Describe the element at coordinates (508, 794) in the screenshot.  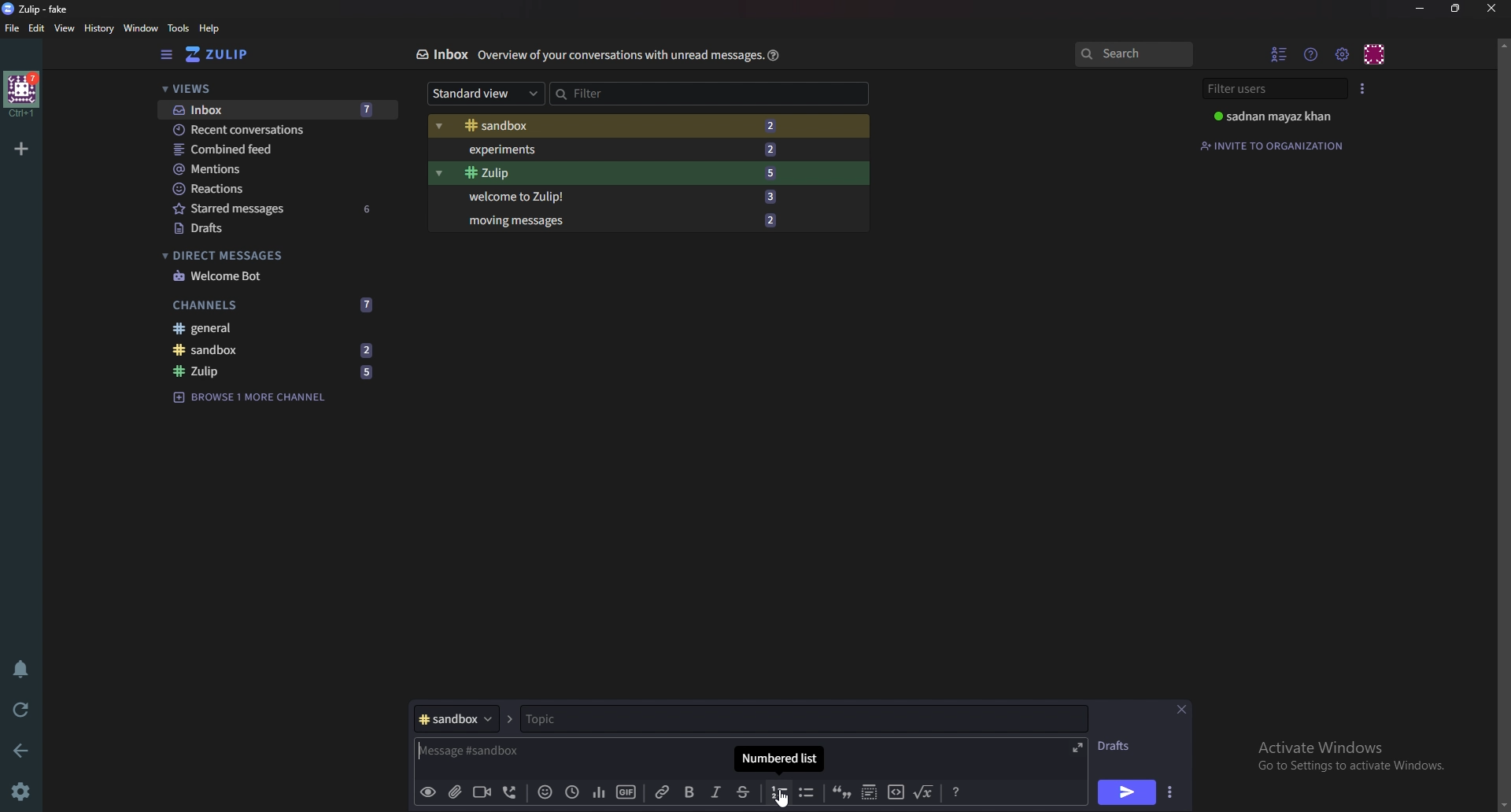
I see `Voice call` at that location.